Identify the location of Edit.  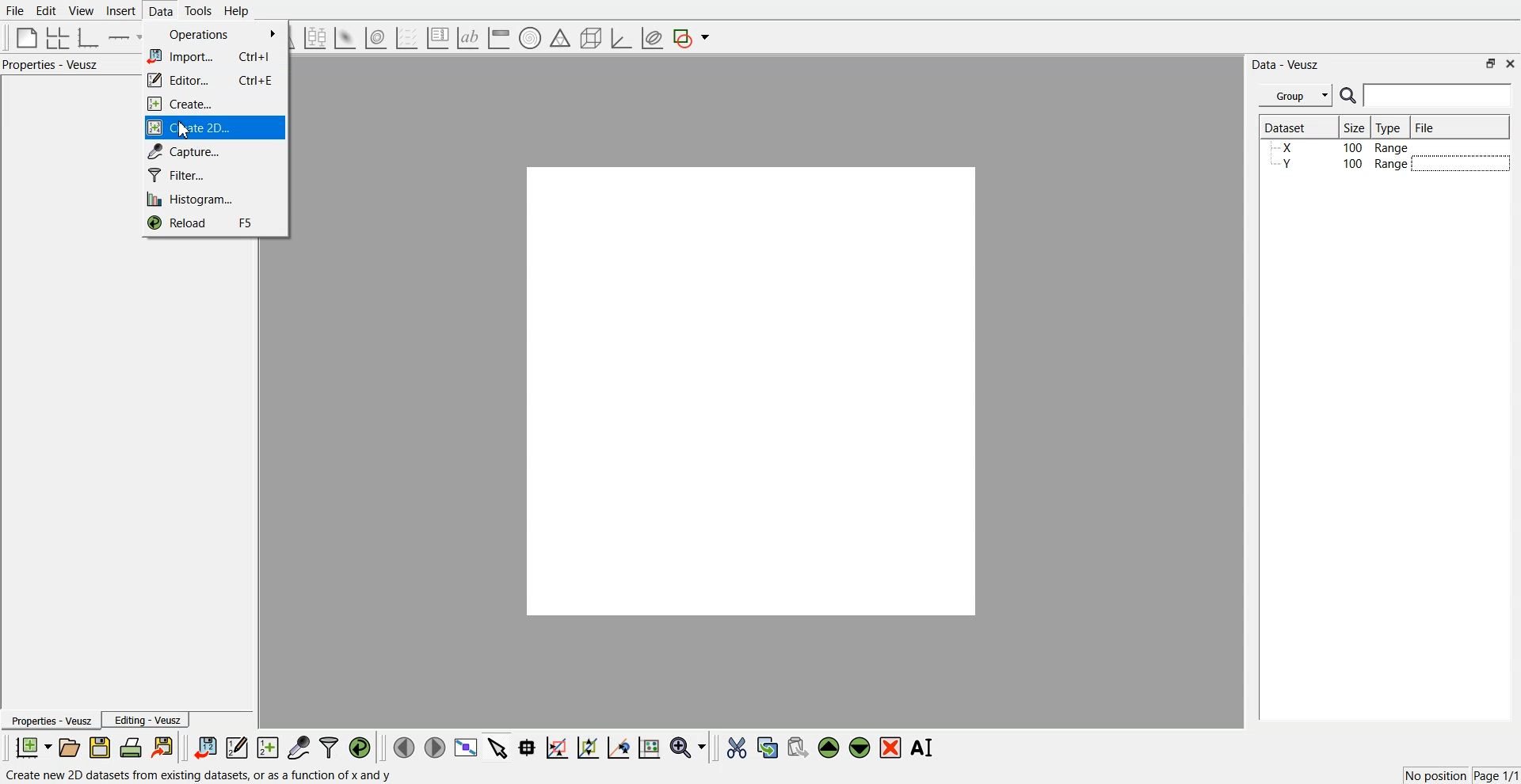
(45, 11).